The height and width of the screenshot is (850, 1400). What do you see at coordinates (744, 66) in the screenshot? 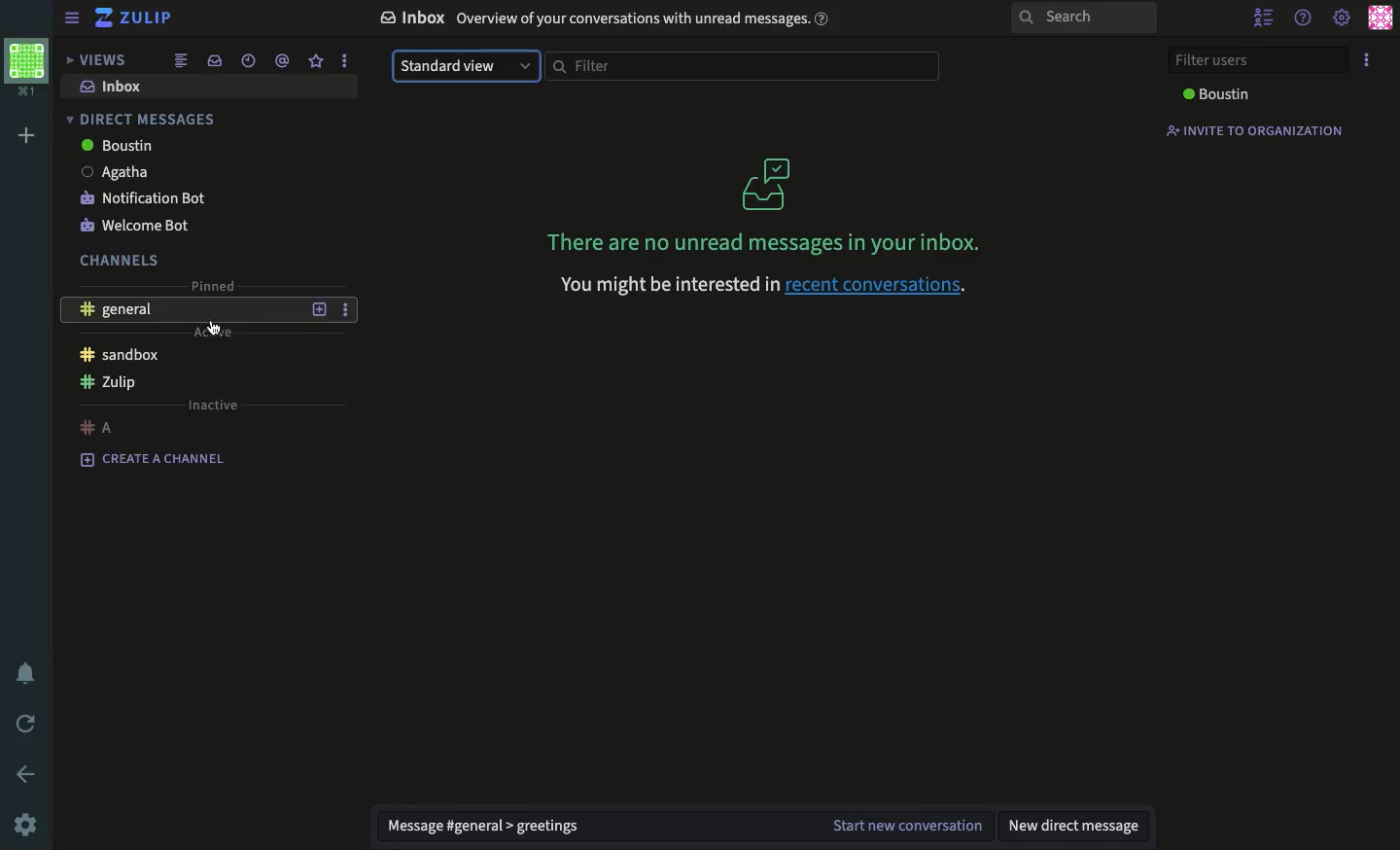
I see `filter` at bounding box center [744, 66].